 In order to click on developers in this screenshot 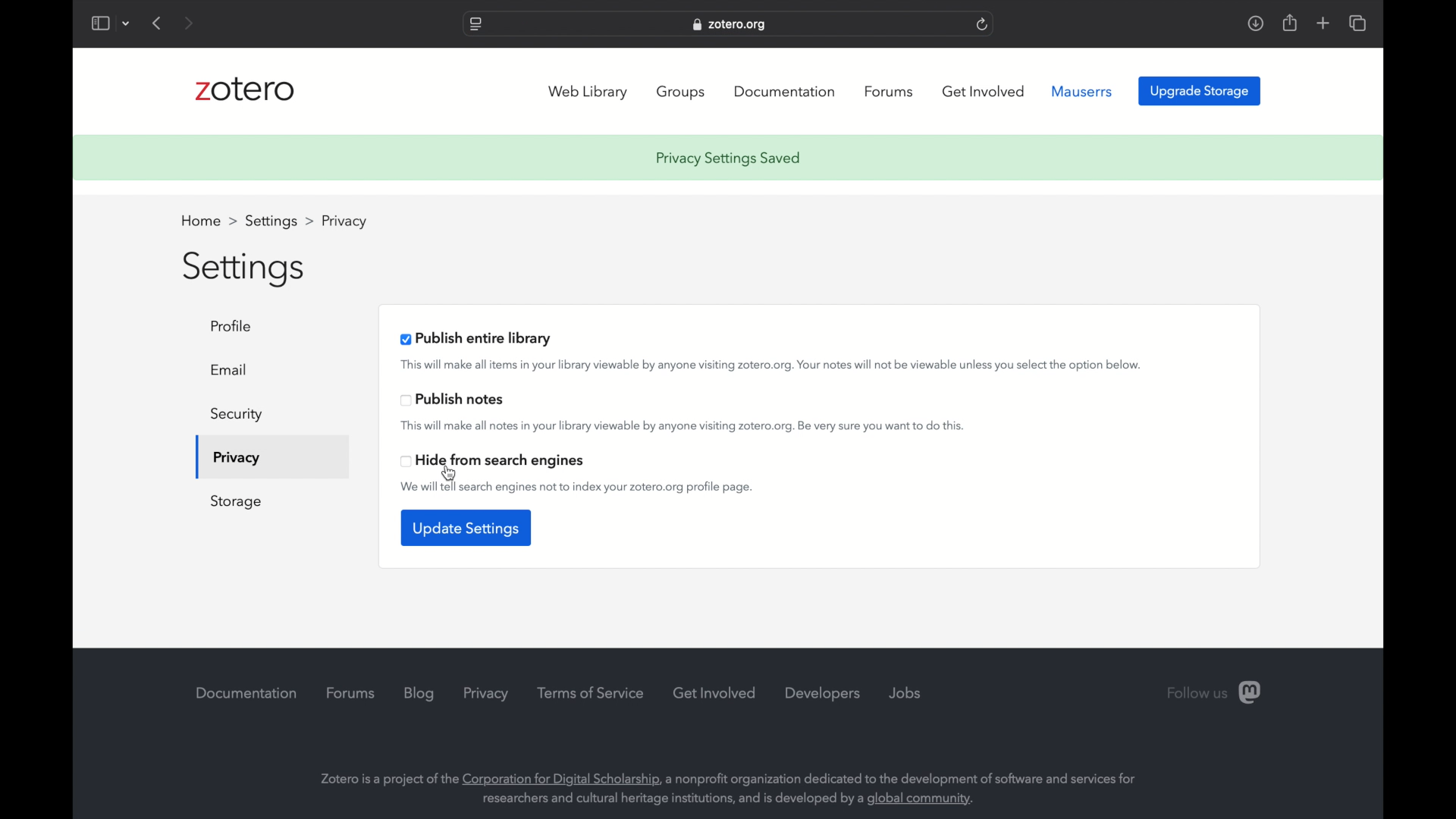, I will do `click(823, 694)`.